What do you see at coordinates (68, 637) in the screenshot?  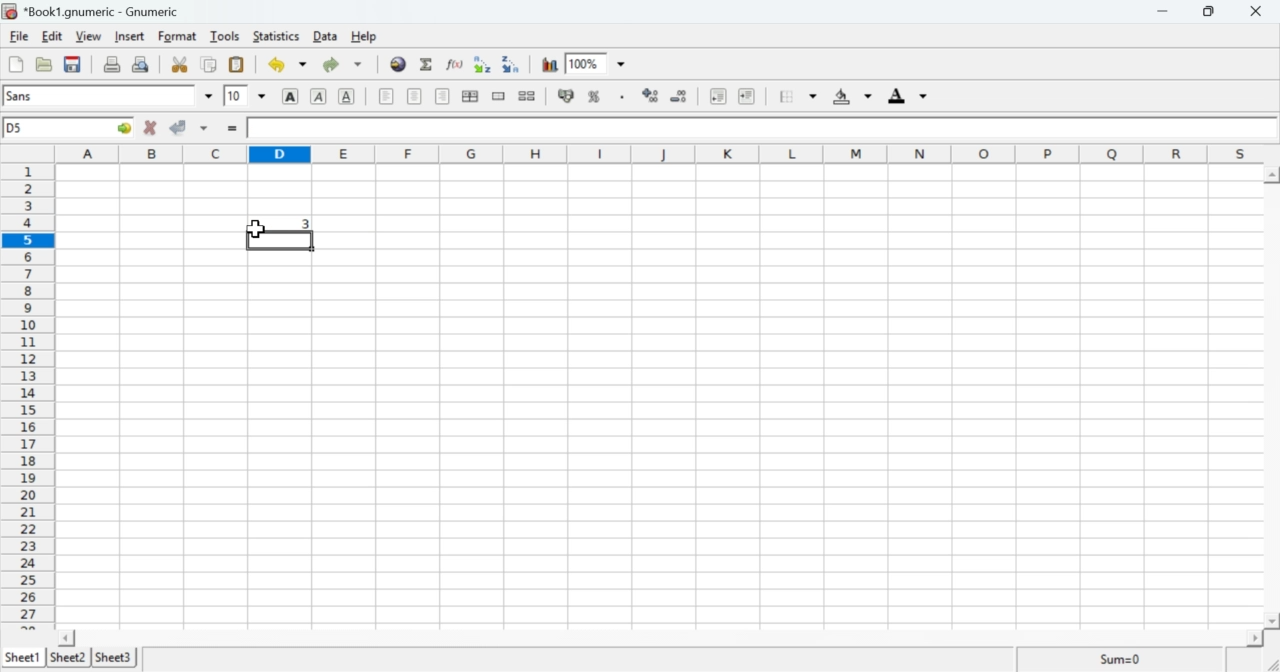 I see `scroll left` at bounding box center [68, 637].